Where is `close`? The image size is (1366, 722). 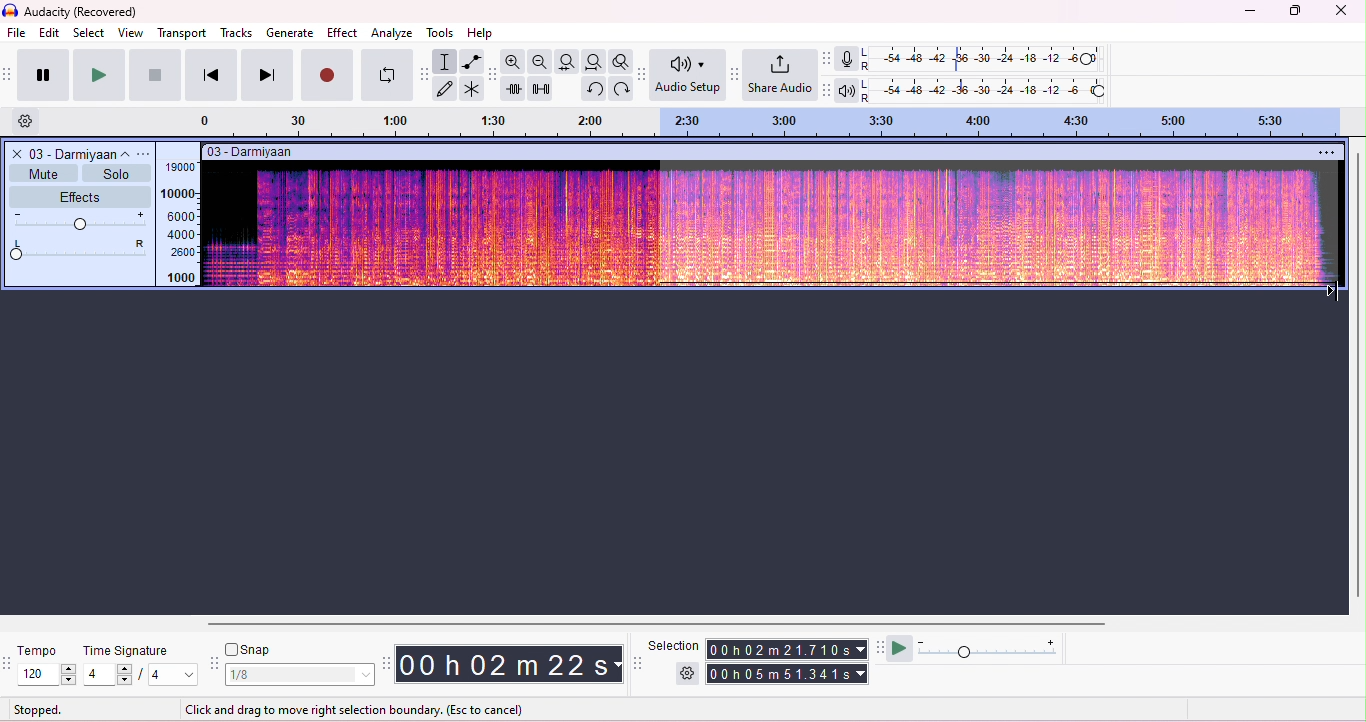
close is located at coordinates (15, 153).